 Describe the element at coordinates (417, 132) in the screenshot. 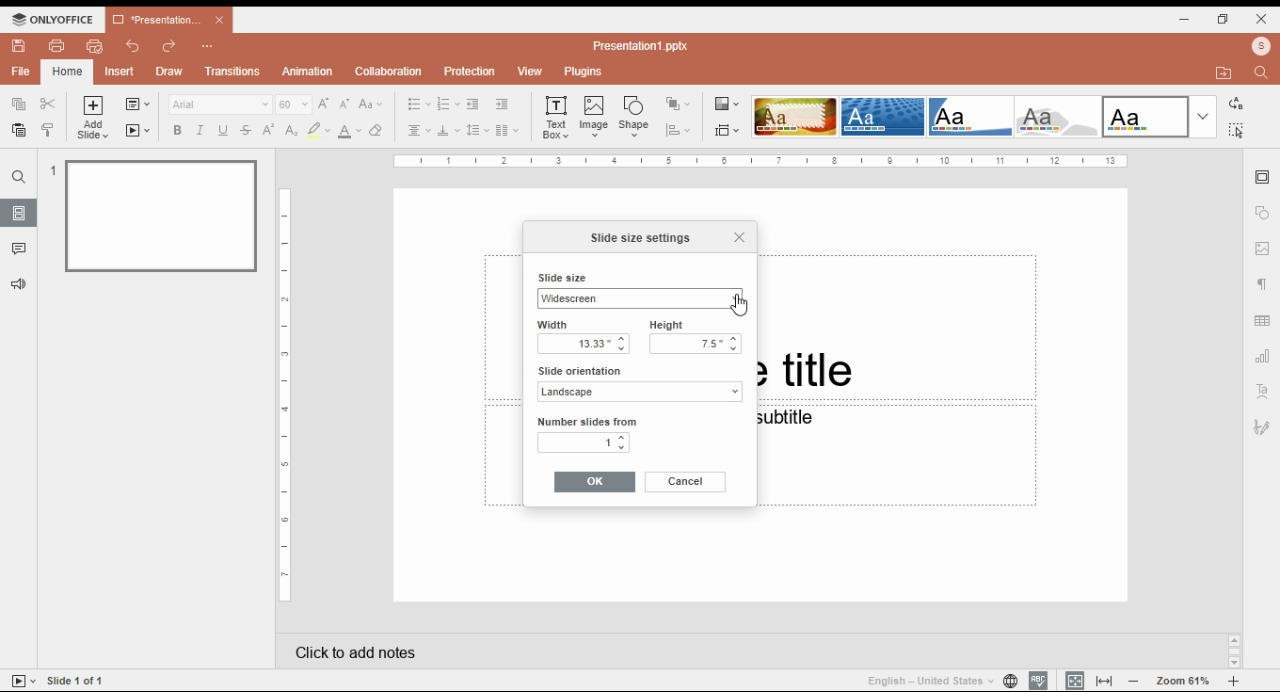

I see `horizontal alignment` at that location.